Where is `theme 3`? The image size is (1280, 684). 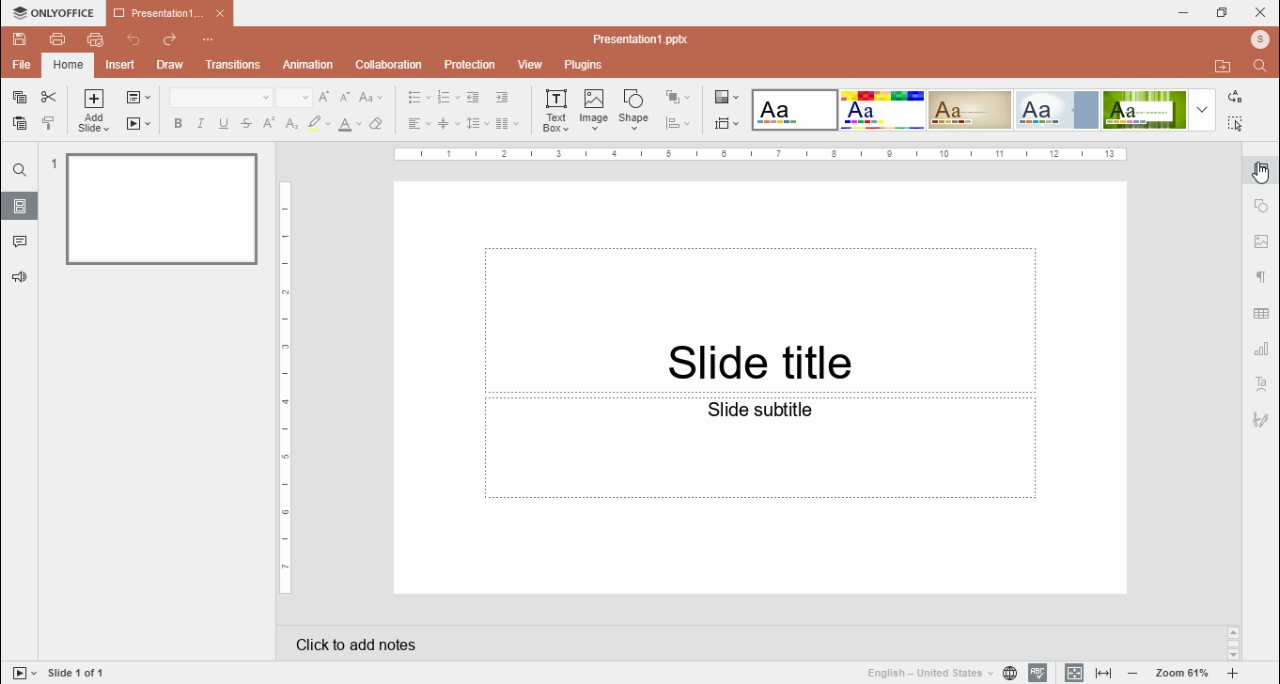 theme 3 is located at coordinates (971, 110).